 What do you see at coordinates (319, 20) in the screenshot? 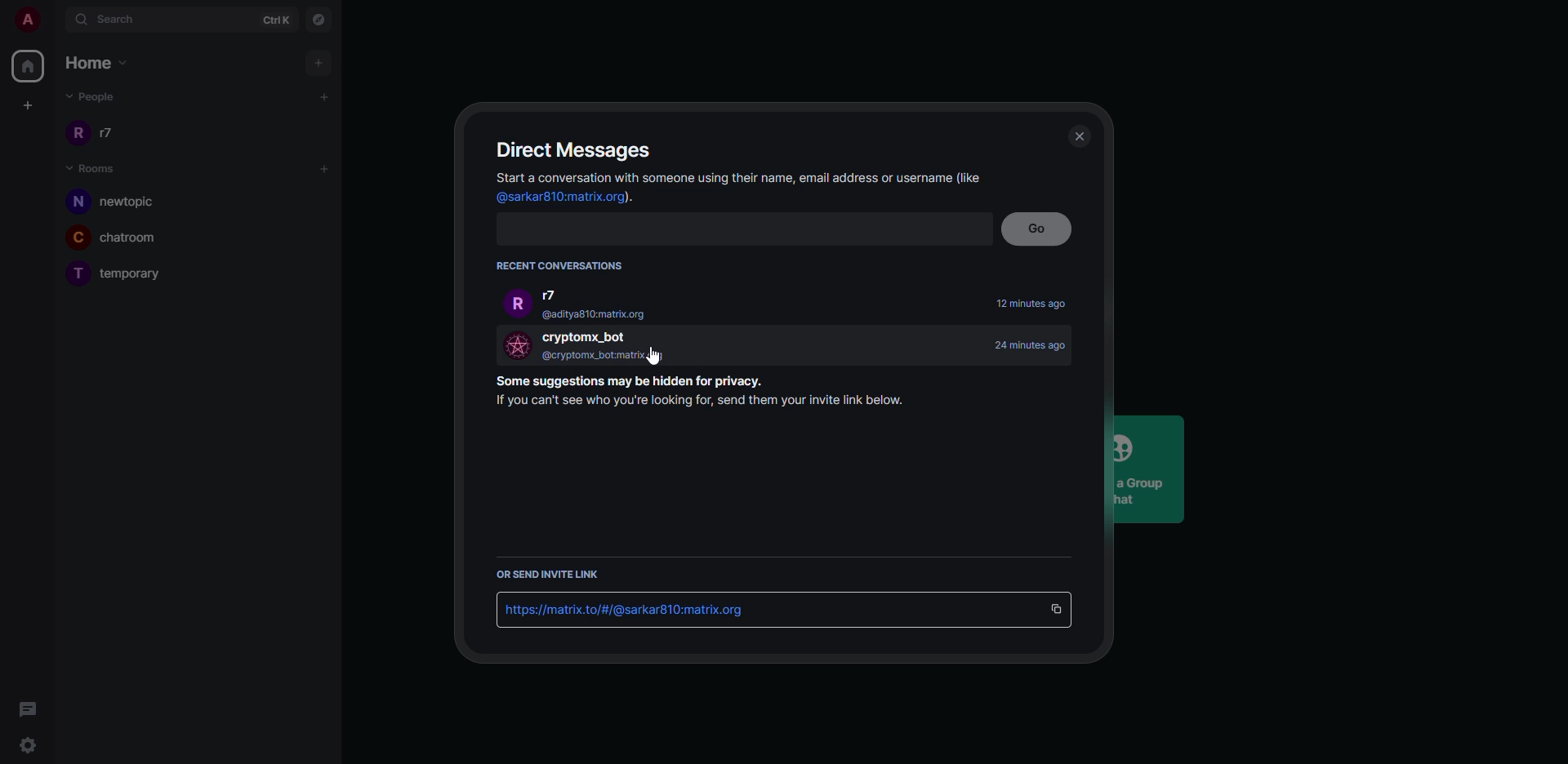
I see `navigator` at bounding box center [319, 20].